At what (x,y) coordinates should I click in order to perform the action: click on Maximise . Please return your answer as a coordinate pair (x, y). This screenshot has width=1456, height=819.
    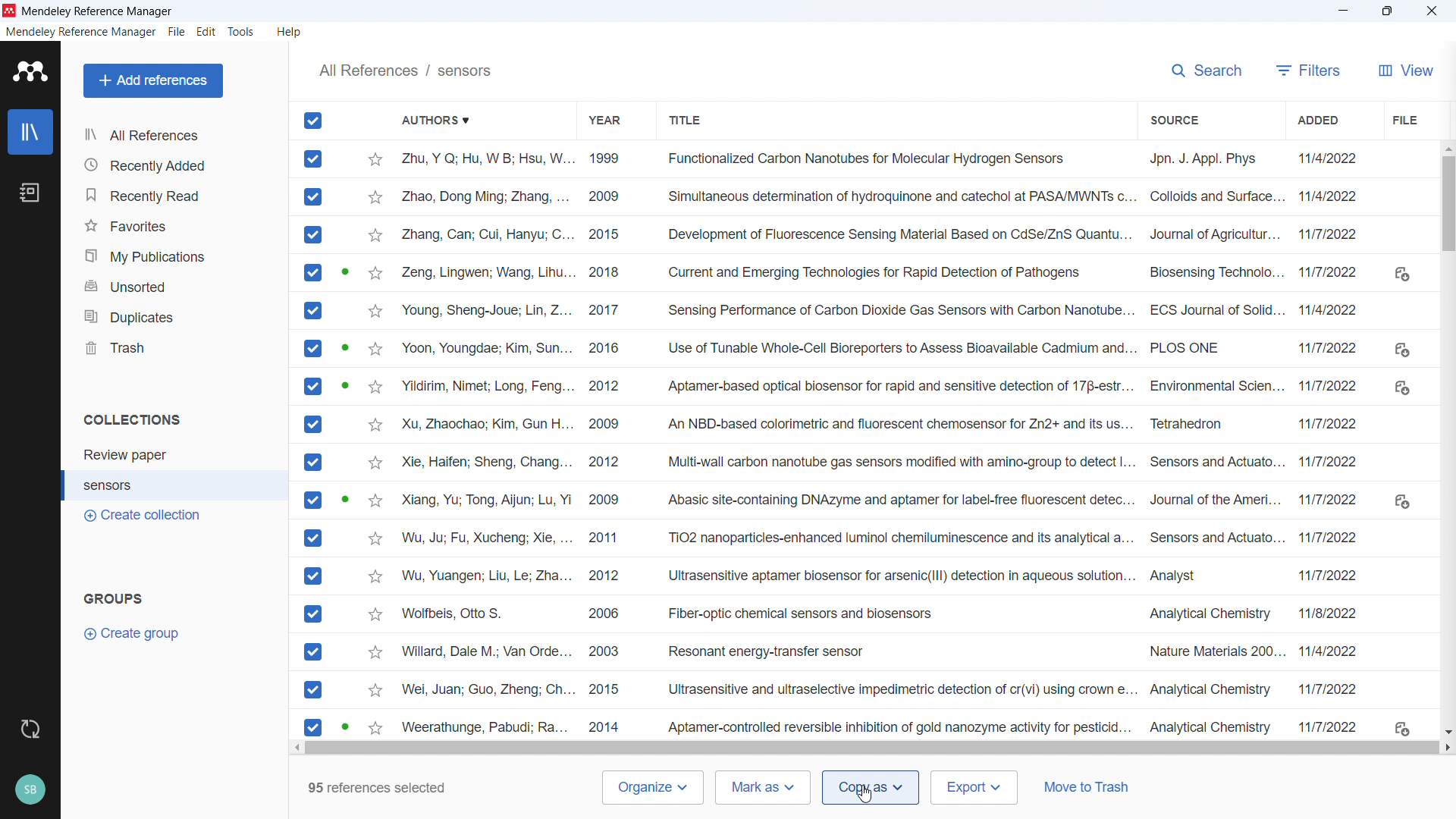
    Looking at the image, I should click on (1385, 11).